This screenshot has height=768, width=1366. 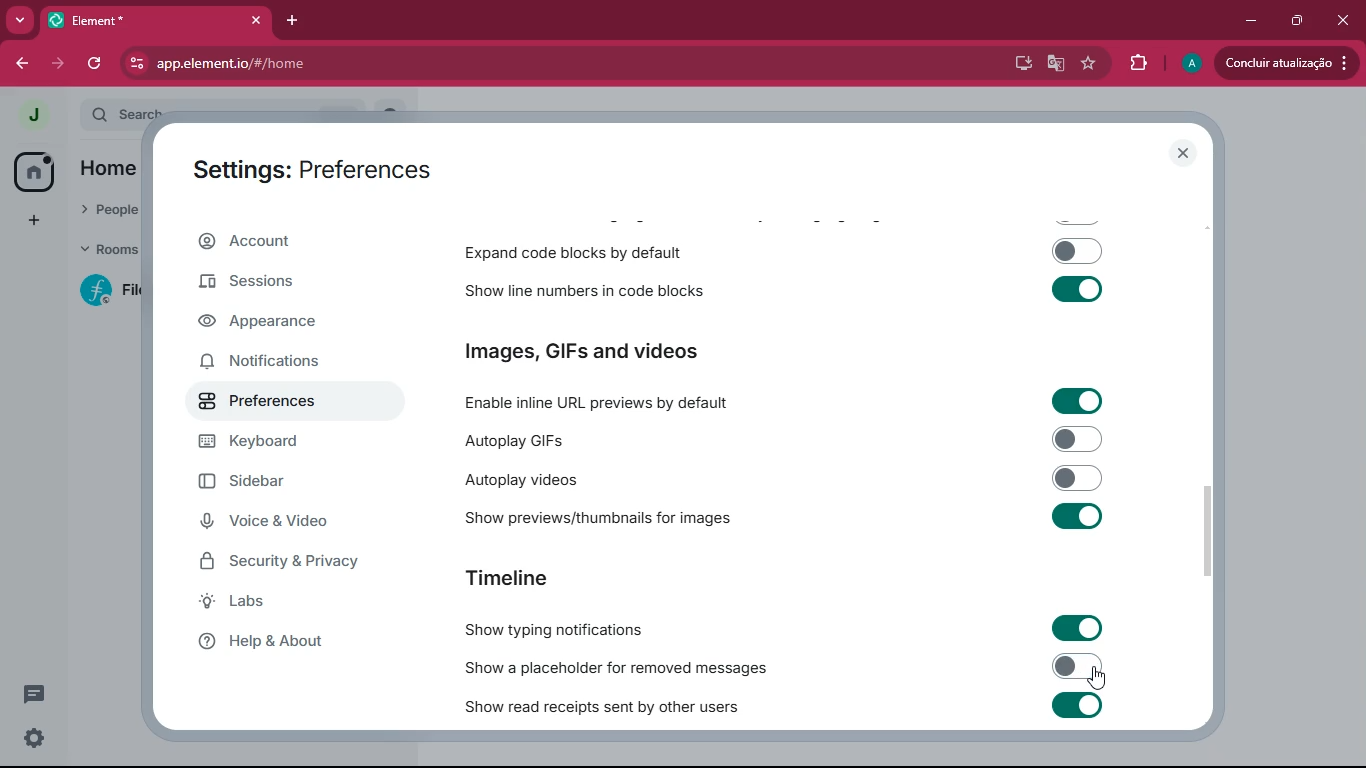 What do you see at coordinates (1078, 400) in the screenshot?
I see `toggle on/off` at bounding box center [1078, 400].